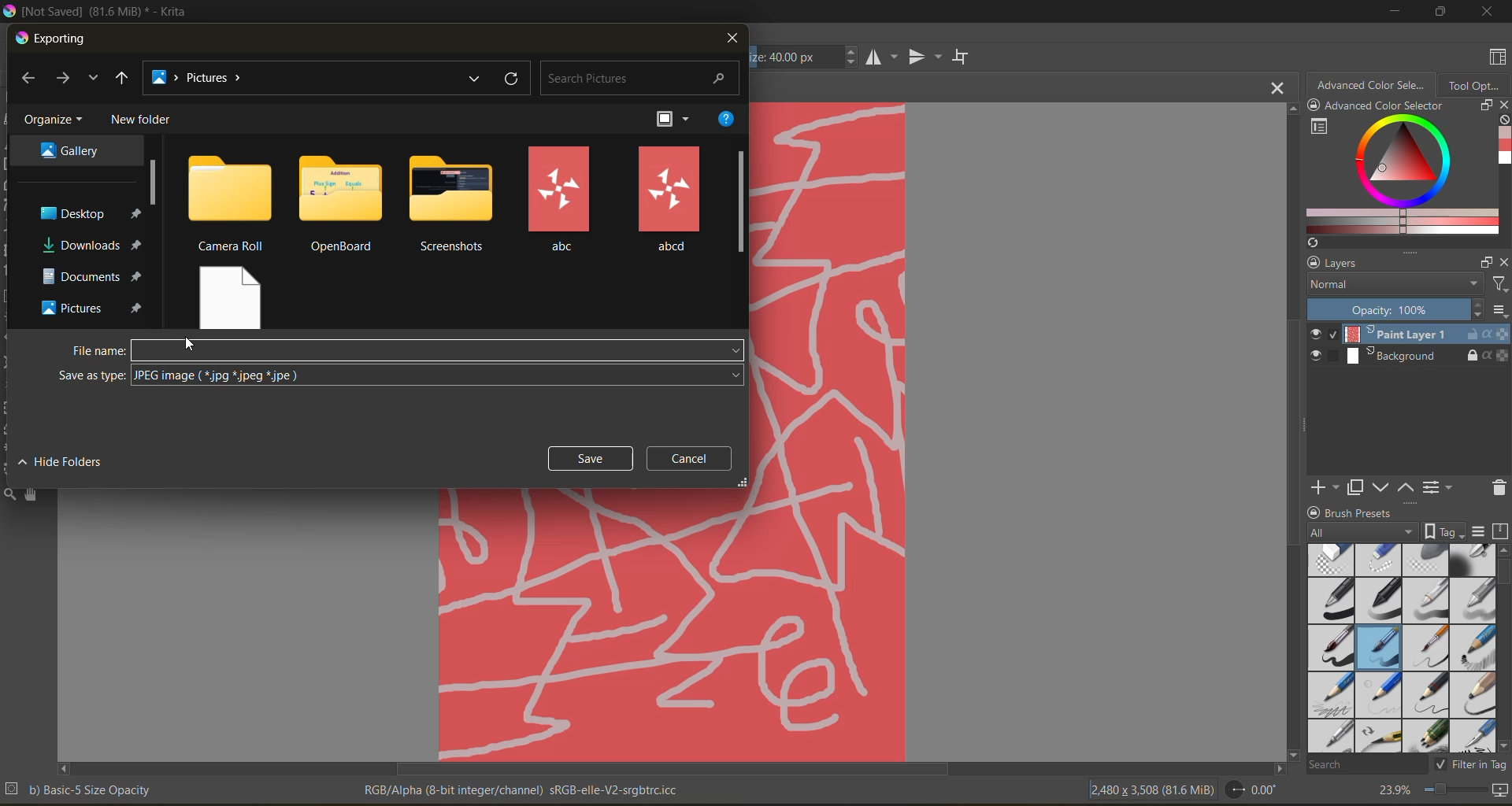 Image resolution: width=1512 pixels, height=806 pixels. Describe the element at coordinates (72, 149) in the screenshot. I see `folder destination` at that location.